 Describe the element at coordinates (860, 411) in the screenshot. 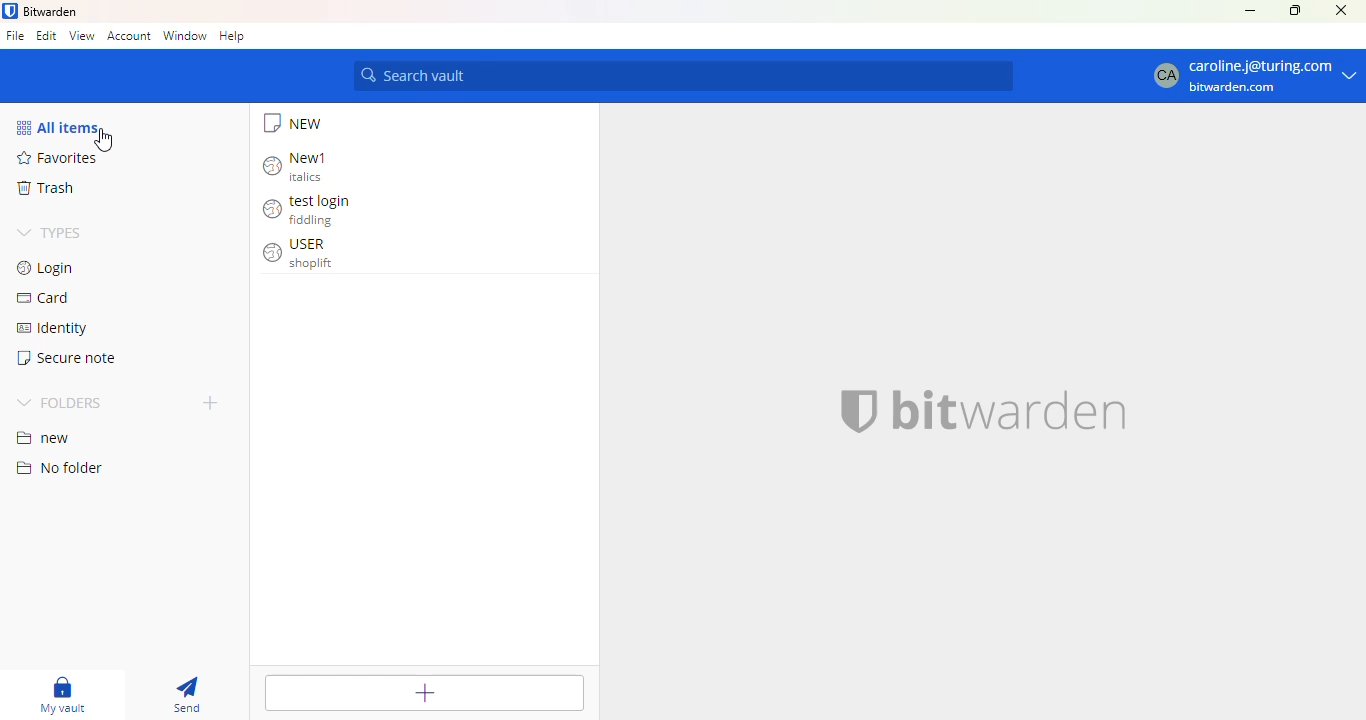

I see `logo` at that location.